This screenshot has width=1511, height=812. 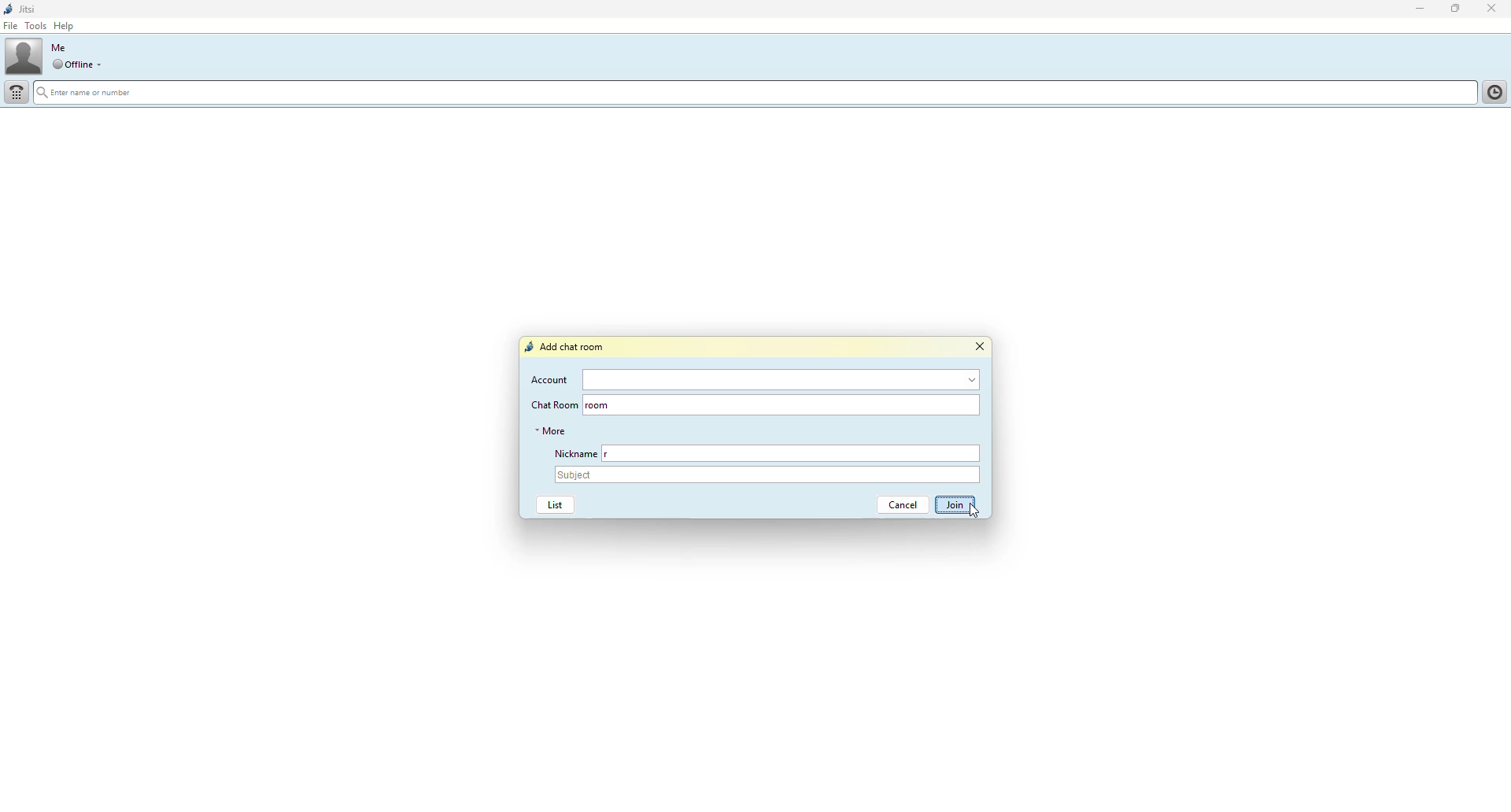 I want to click on profile, so click(x=24, y=57).